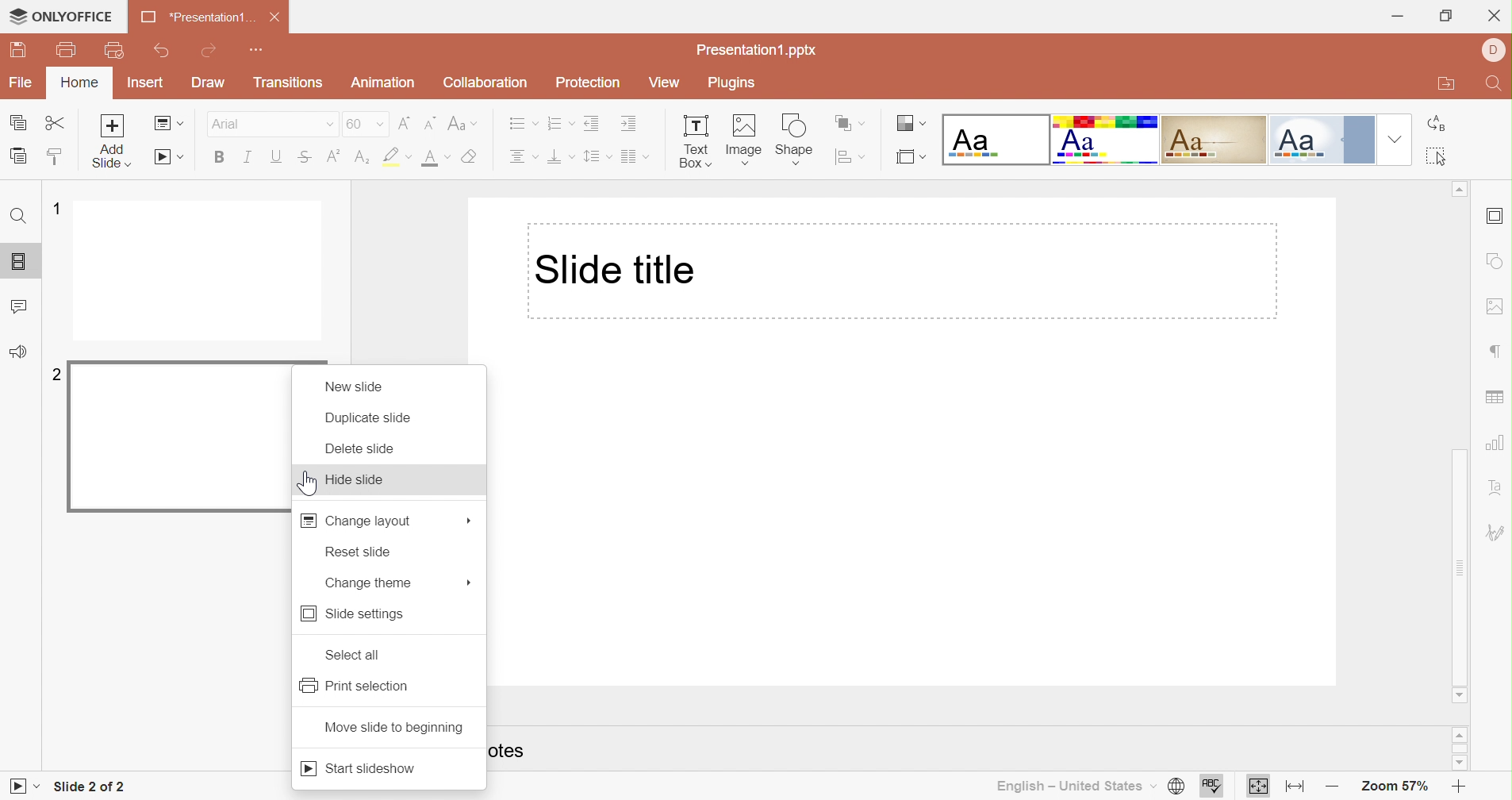 The width and height of the screenshot is (1512, 800). Describe the element at coordinates (55, 376) in the screenshot. I see `2` at that location.